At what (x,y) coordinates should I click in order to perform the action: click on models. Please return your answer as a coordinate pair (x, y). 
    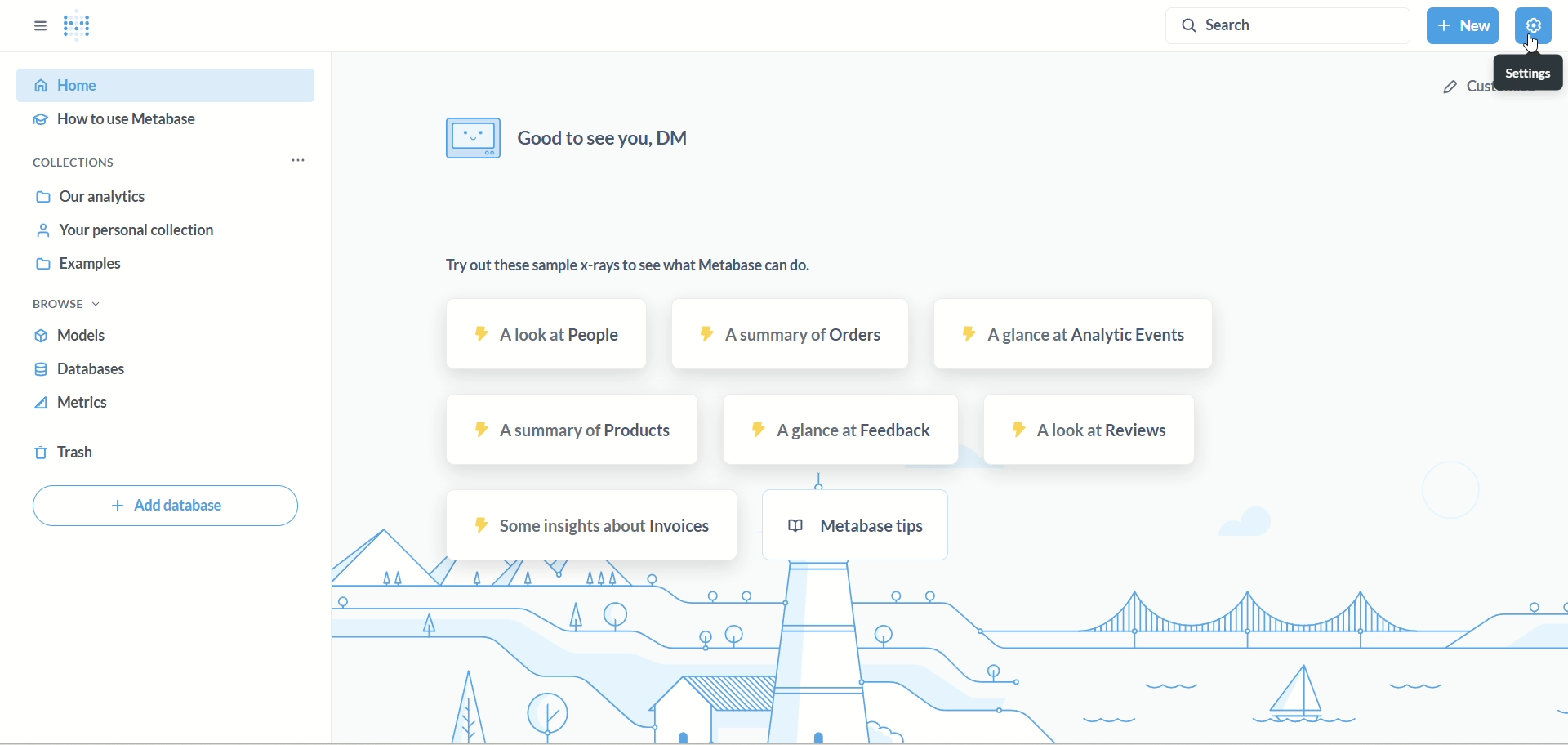
    Looking at the image, I should click on (85, 337).